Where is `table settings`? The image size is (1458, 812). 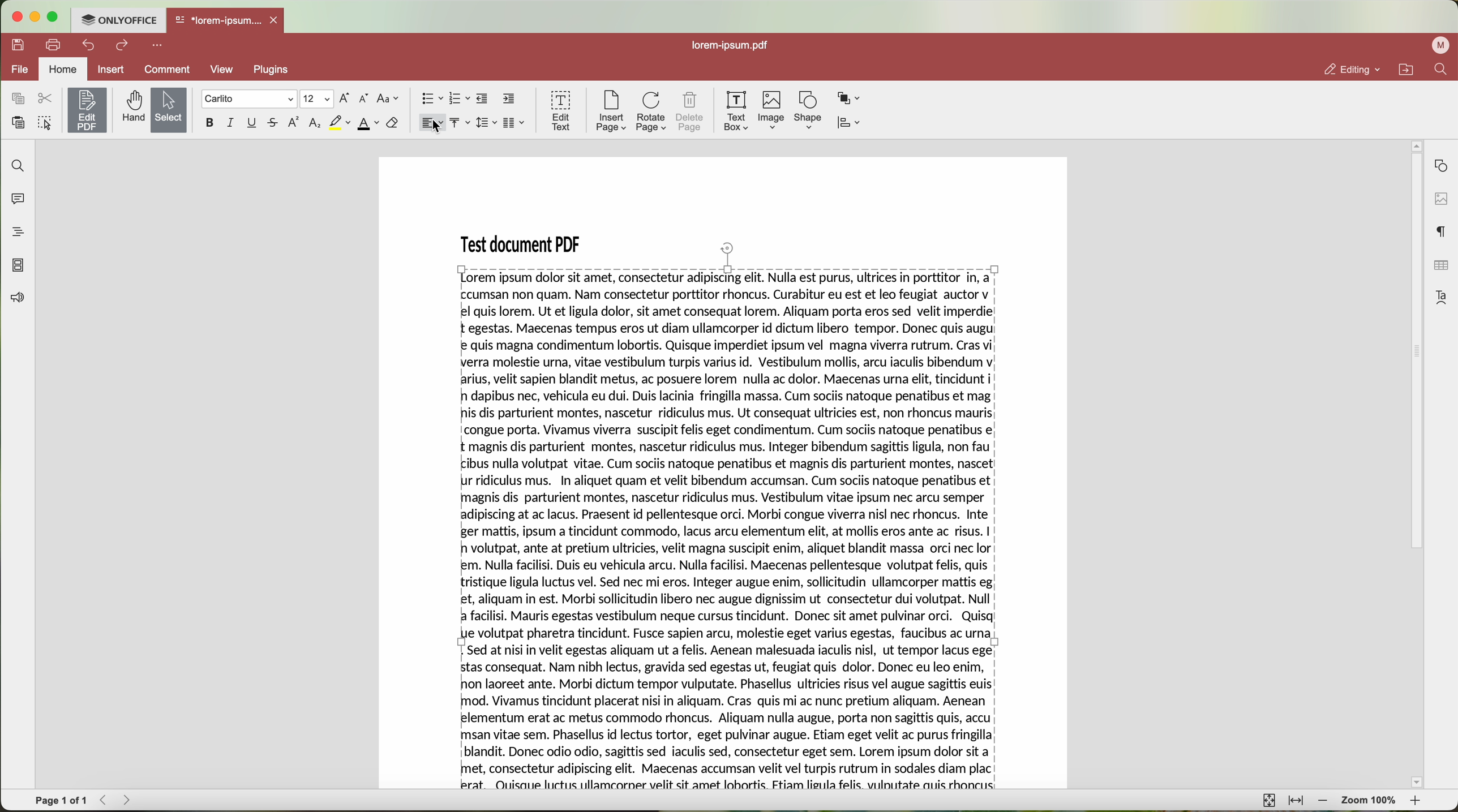 table settings is located at coordinates (1442, 268).